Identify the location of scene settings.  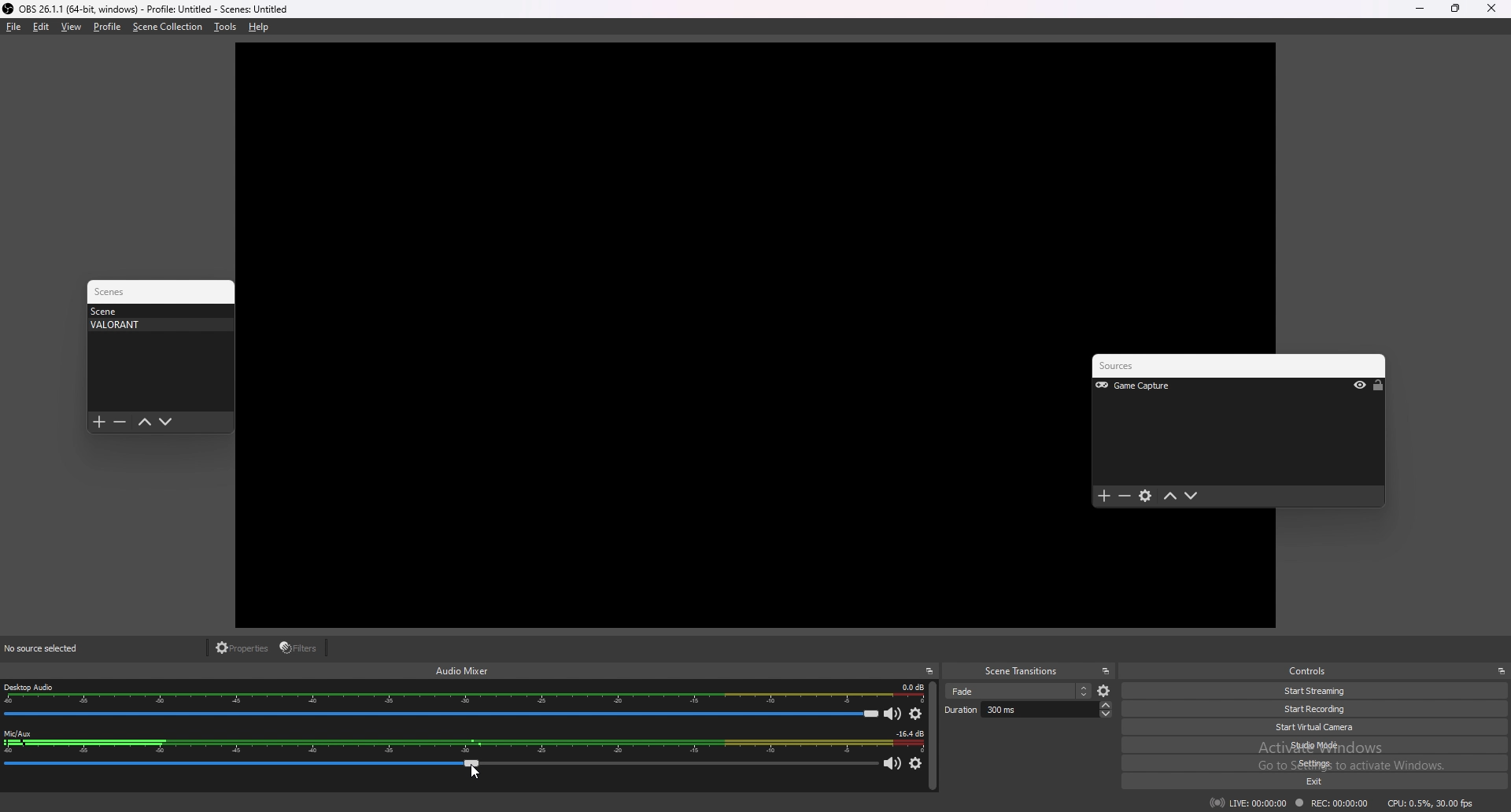
(1105, 692).